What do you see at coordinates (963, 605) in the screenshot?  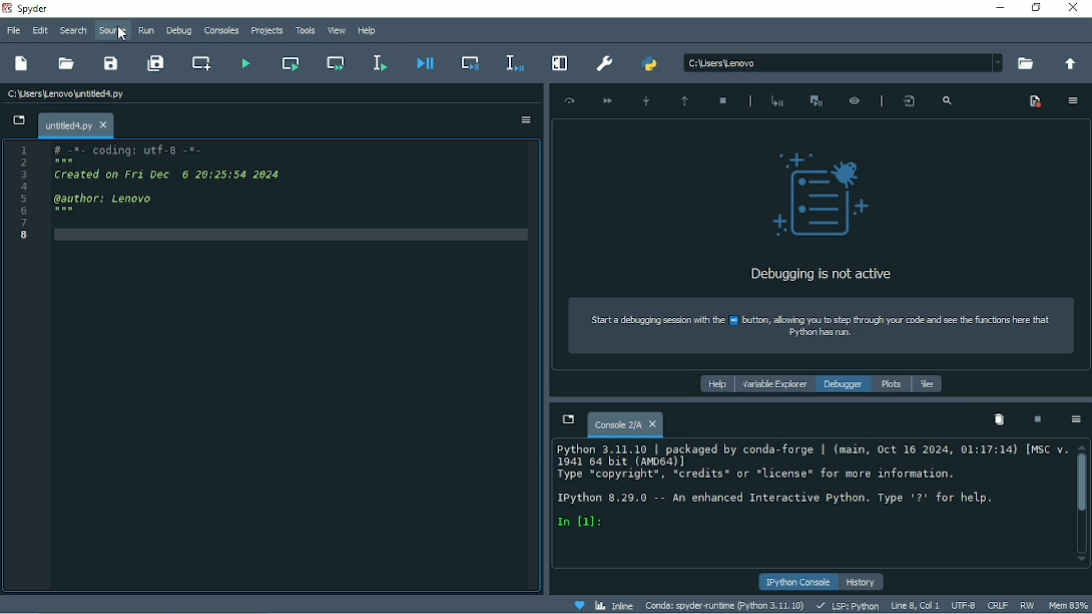 I see `UTF` at bounding box center [963, 605].